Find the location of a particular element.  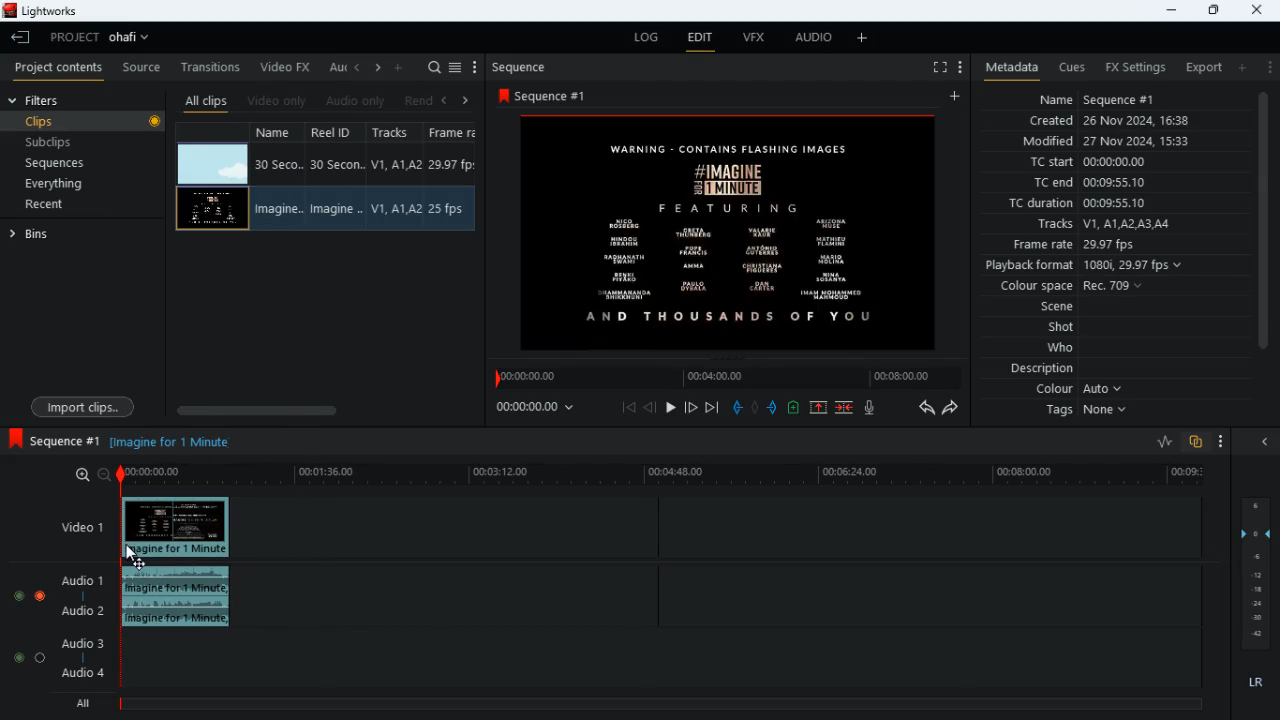

edit is located at coordinates (702, 39).